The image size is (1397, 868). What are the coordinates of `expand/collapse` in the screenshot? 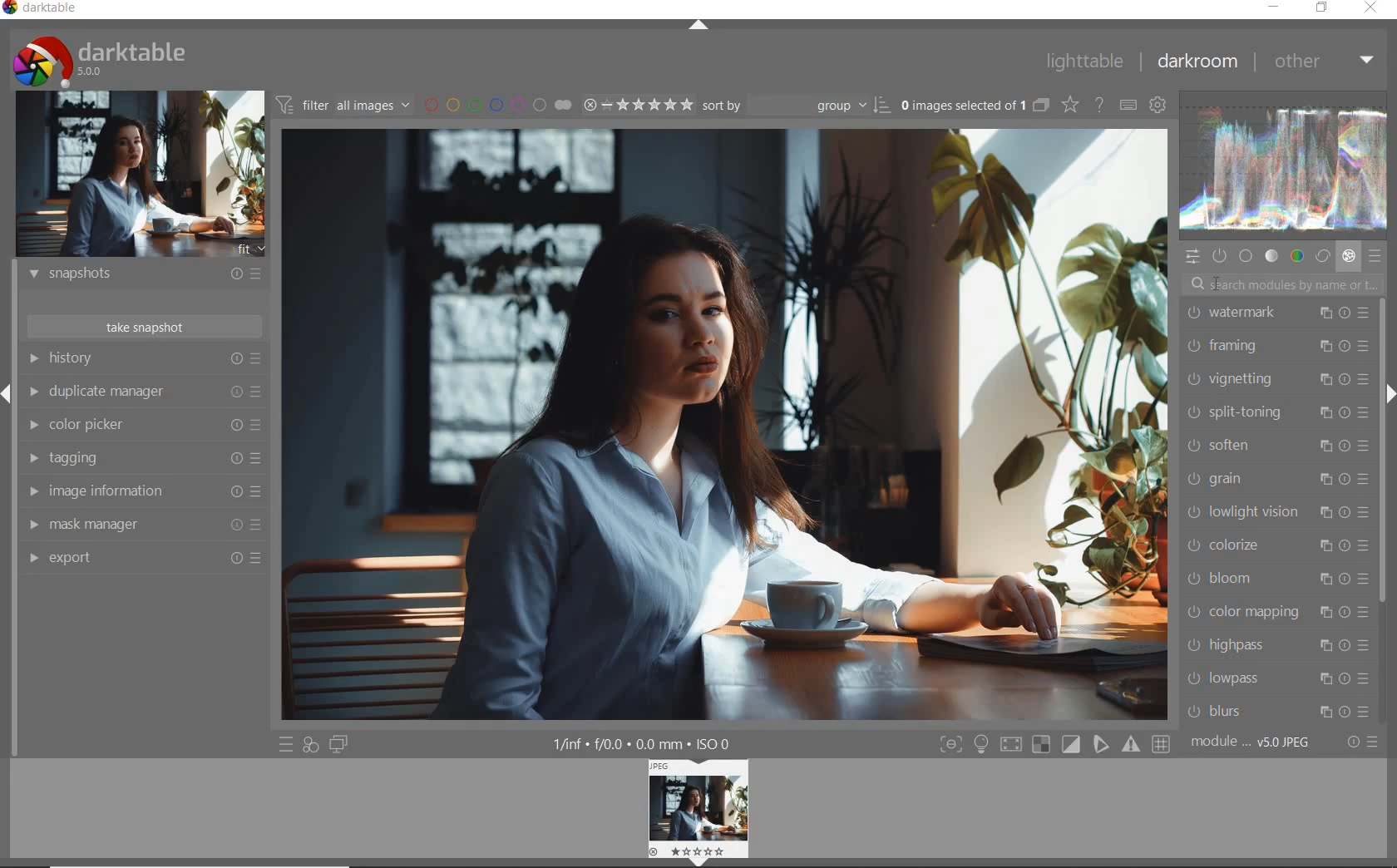 It's located at (698, 24).